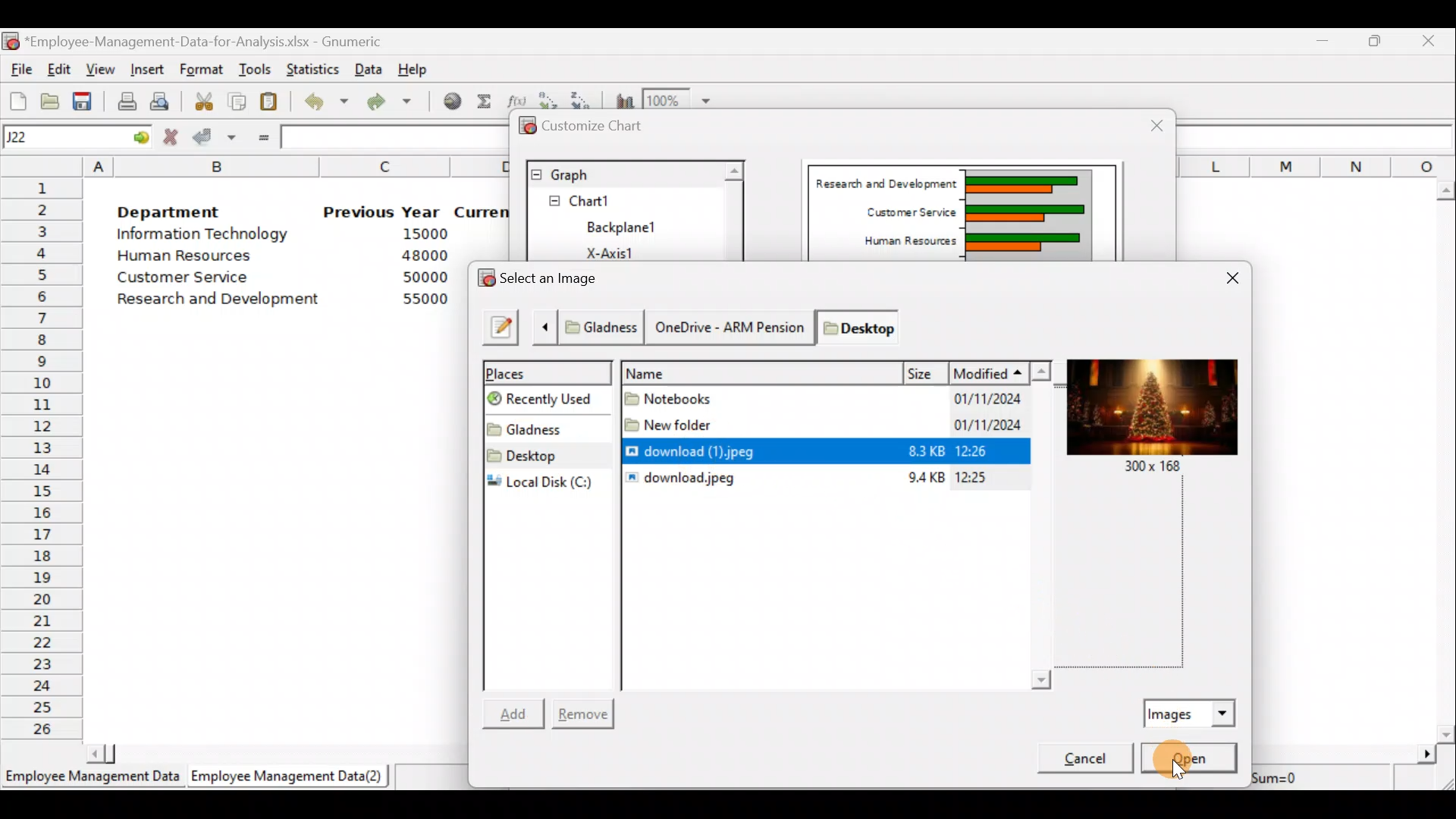  What do you see at coordinates (90, 778) in the screenshot?
I see `Employee Management Data` at bounding box center [90, 778].